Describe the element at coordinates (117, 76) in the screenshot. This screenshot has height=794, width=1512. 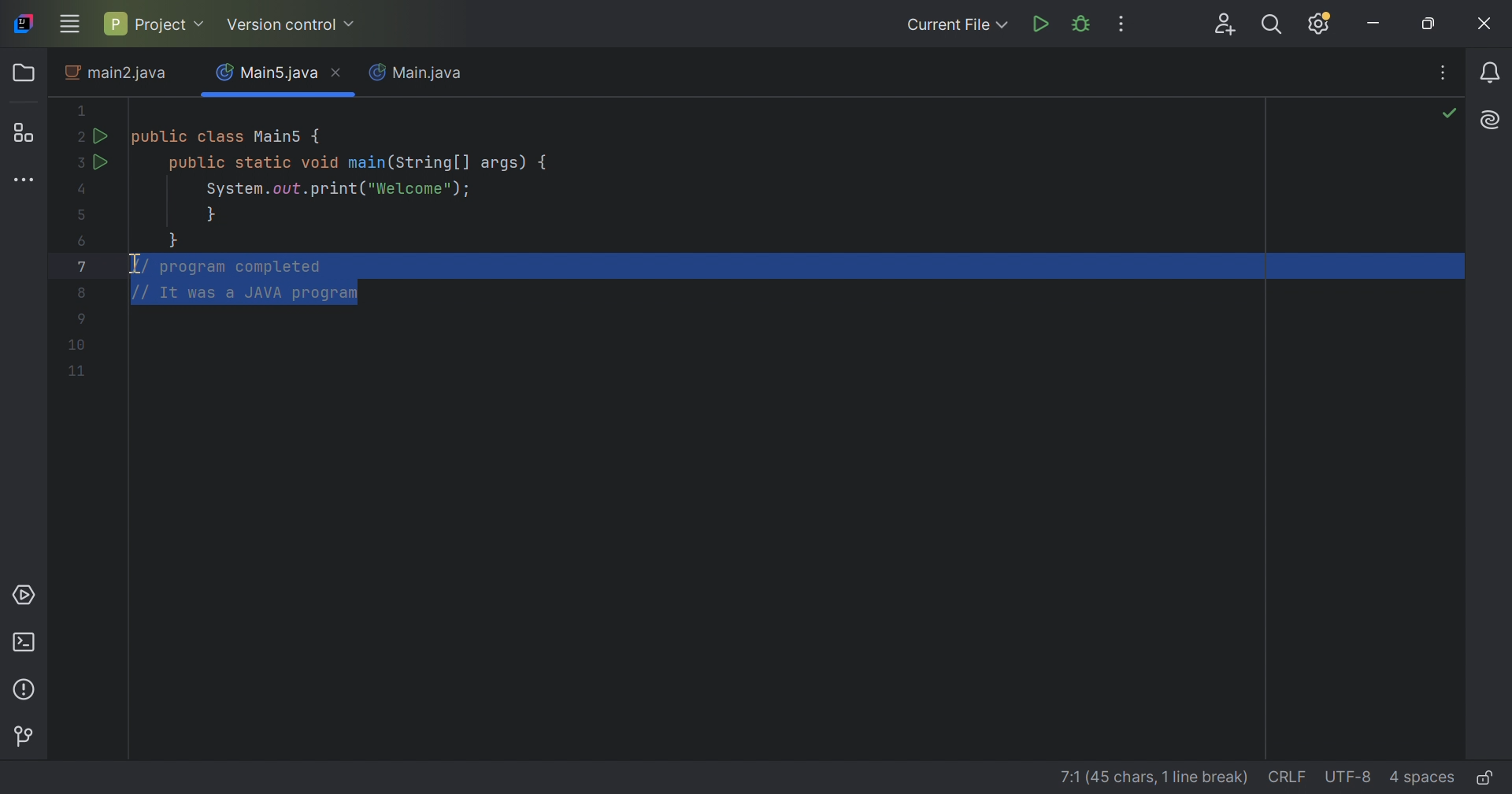
I see `main2.java` at that location.